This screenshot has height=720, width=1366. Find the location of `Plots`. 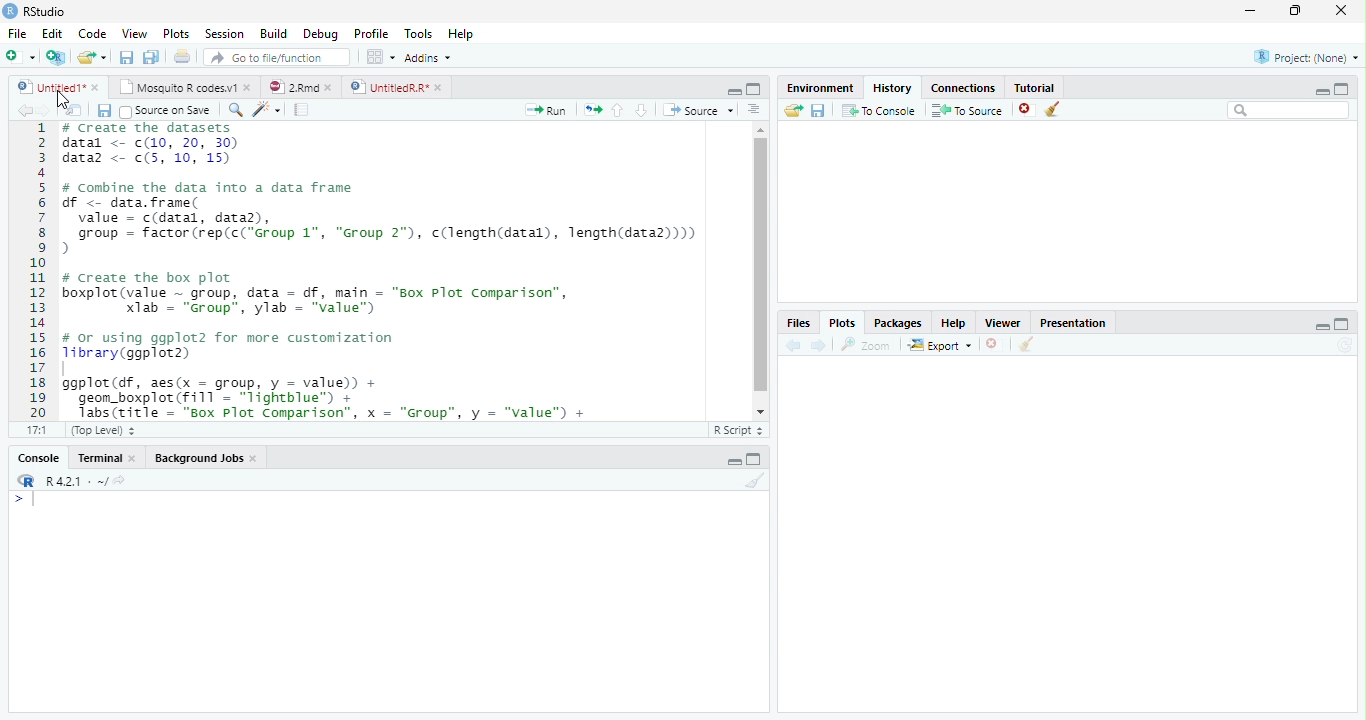

Plots is located at coordinates (174, 33).